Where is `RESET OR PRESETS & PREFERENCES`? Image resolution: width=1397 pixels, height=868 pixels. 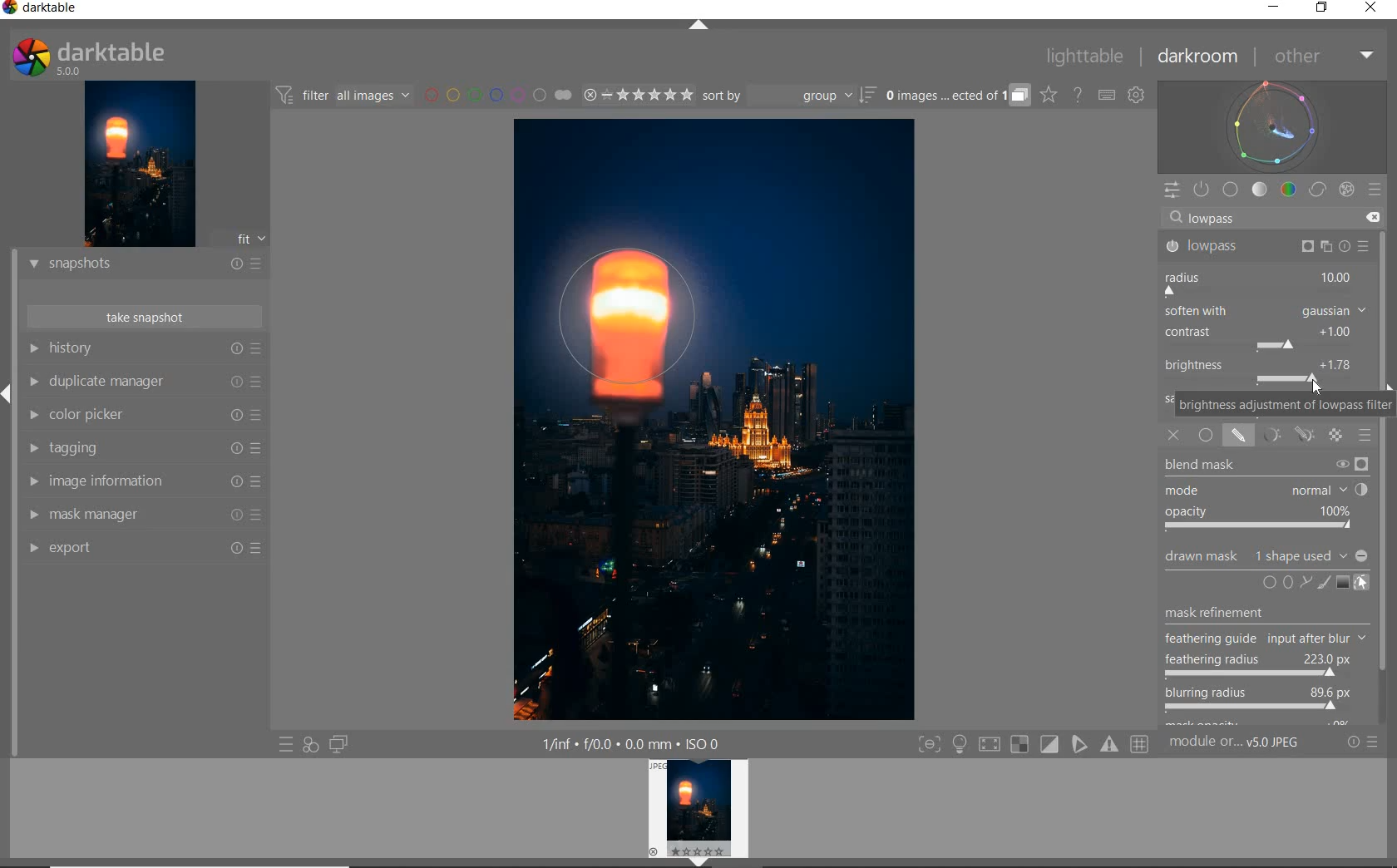 RESET OR PRESETS & PREFERENCES is located at coordinates (1369, 742).